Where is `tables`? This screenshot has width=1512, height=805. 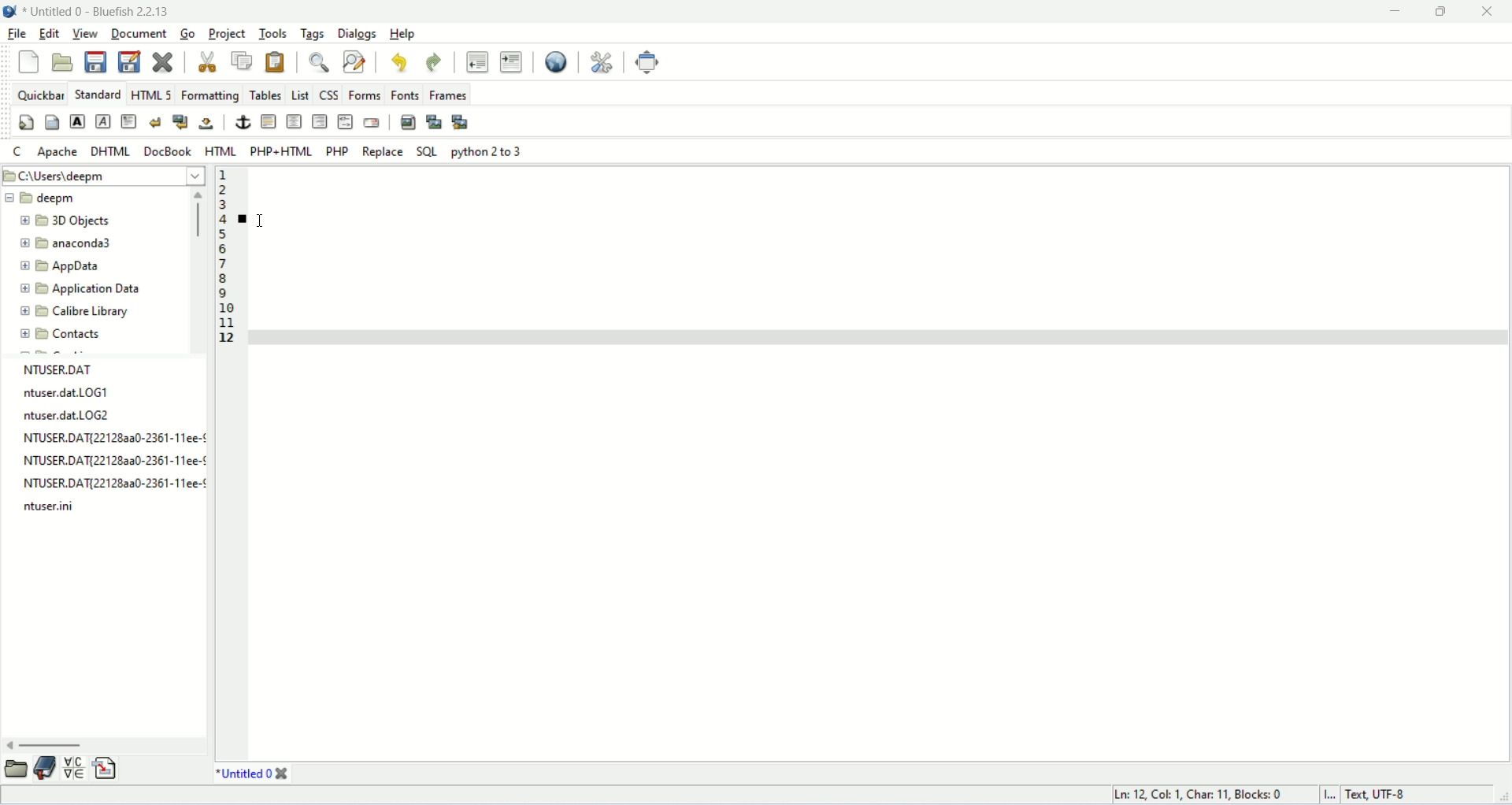
tables is located at coordinates (266, 95).